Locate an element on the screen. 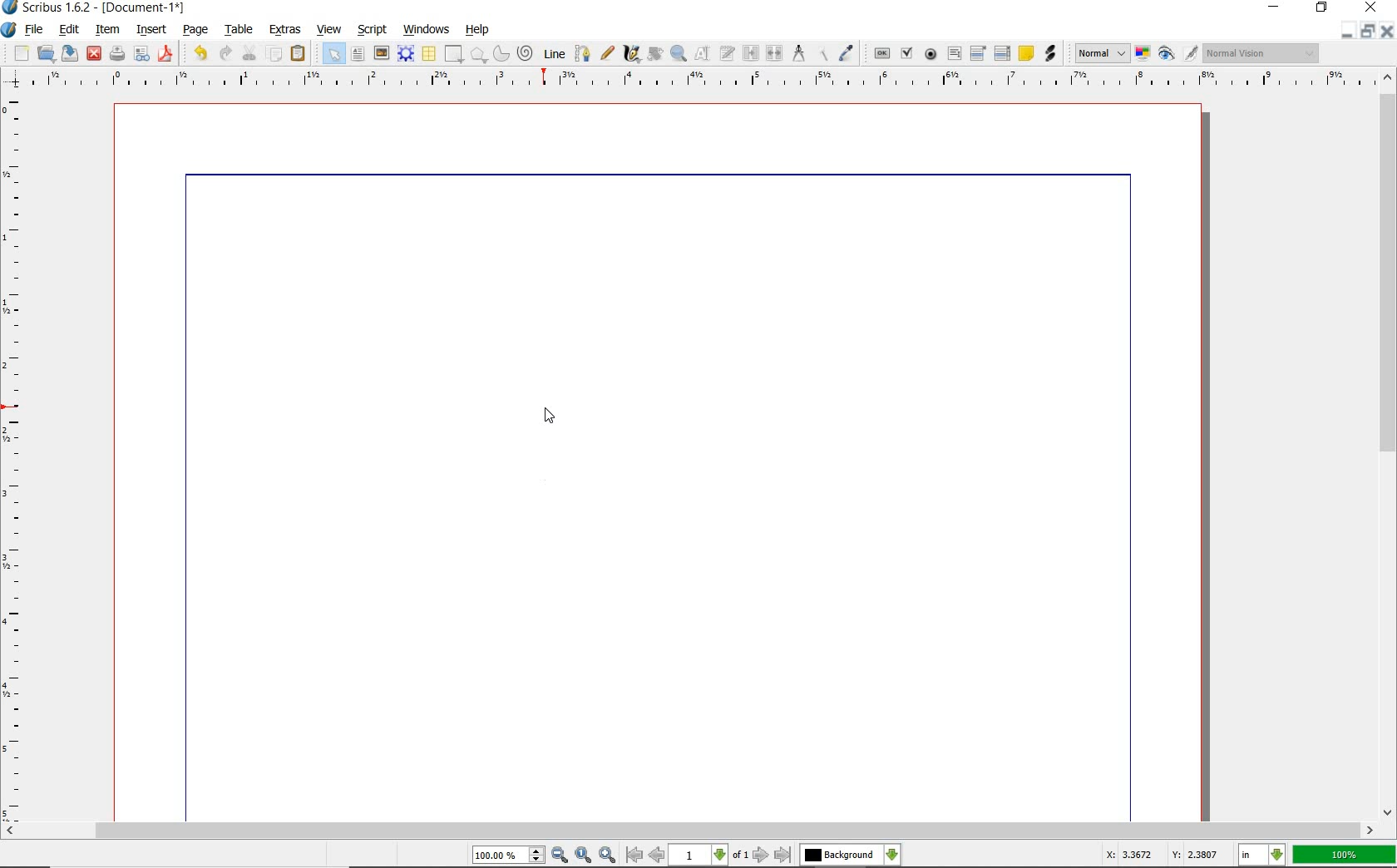  windows is located at coordinates (429, 28).